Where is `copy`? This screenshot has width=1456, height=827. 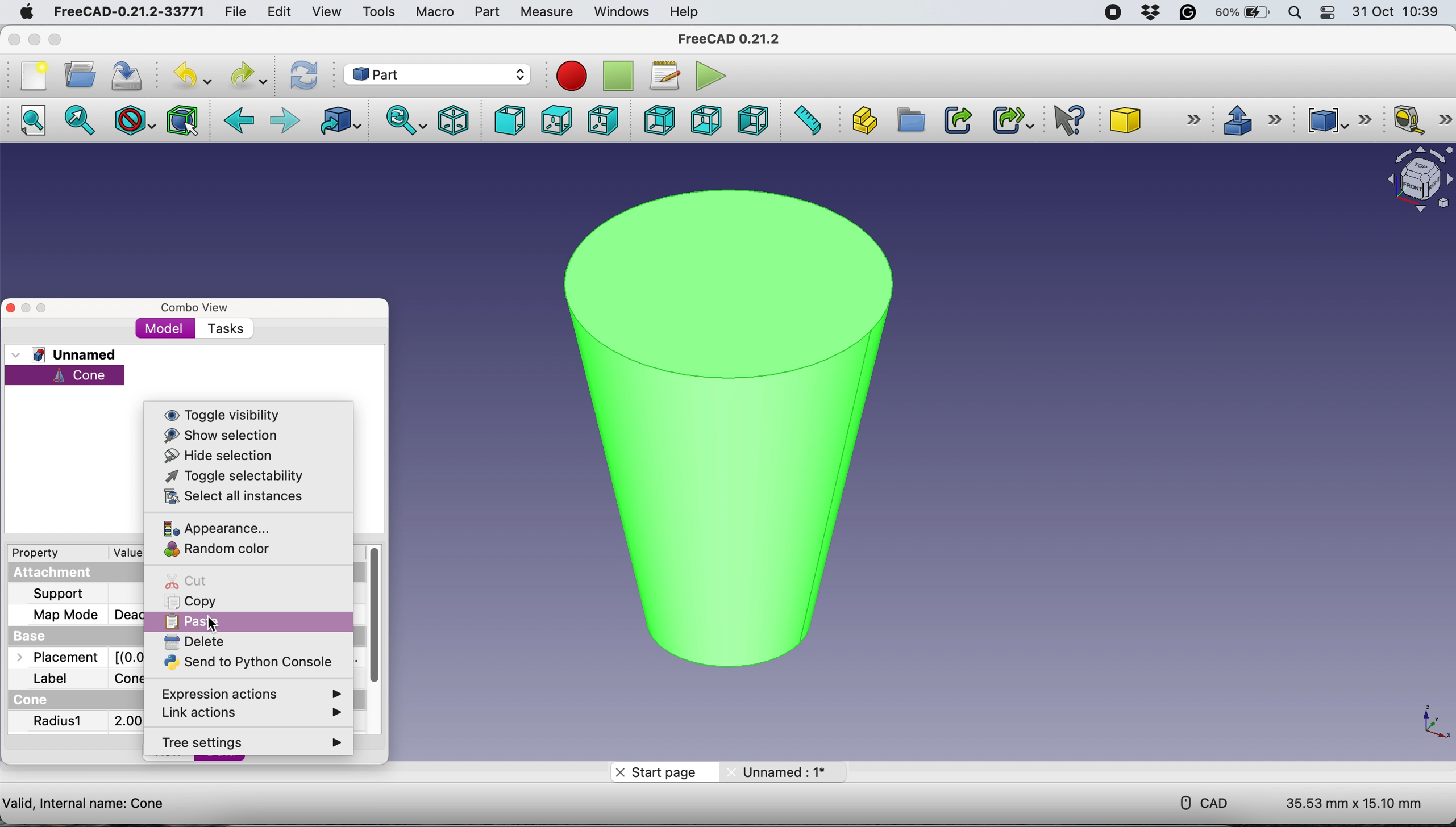 copy is located at coordinates (191, 601).